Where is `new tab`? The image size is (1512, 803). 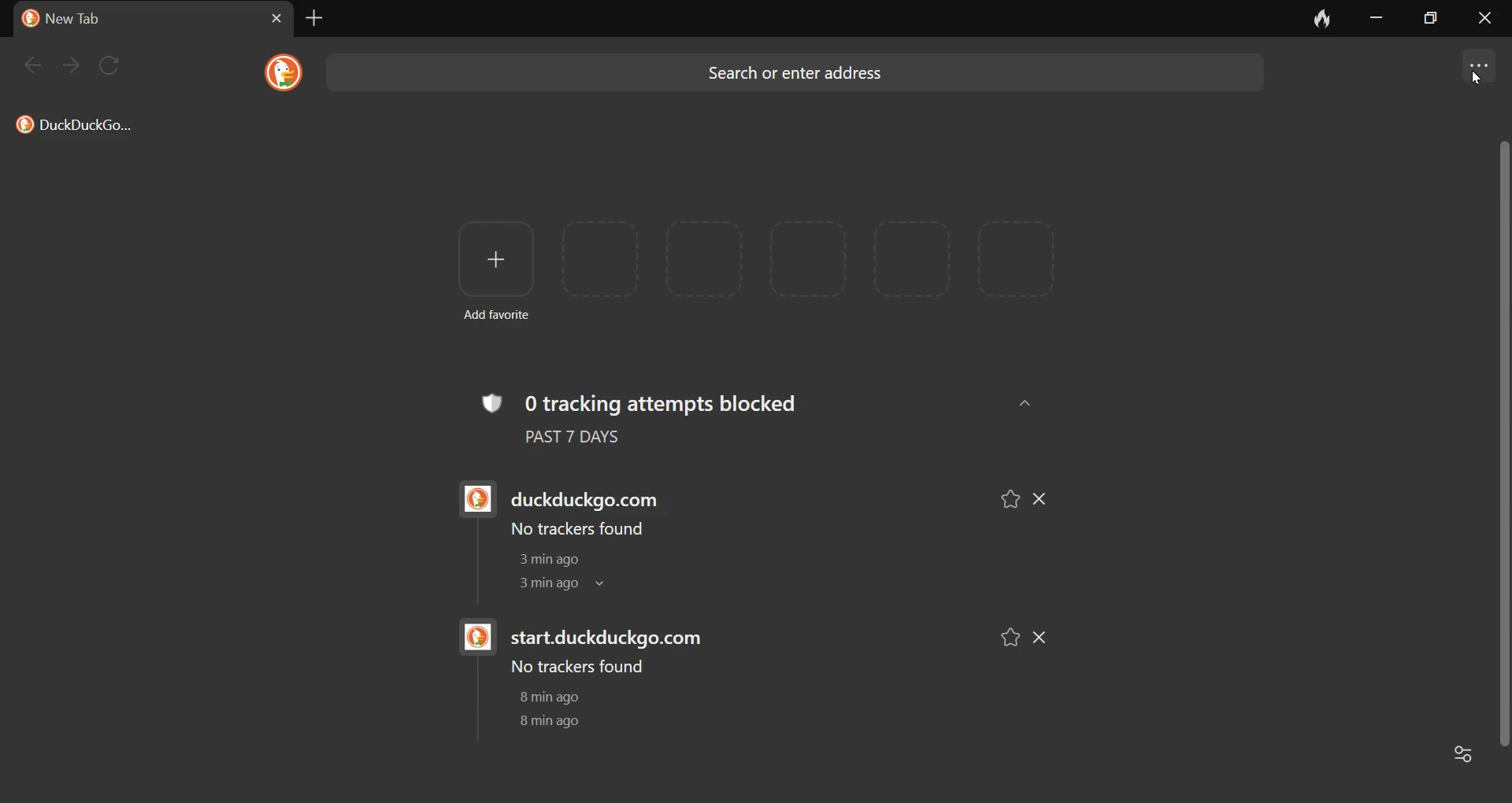
new tab is located at coordinates (311, 20).